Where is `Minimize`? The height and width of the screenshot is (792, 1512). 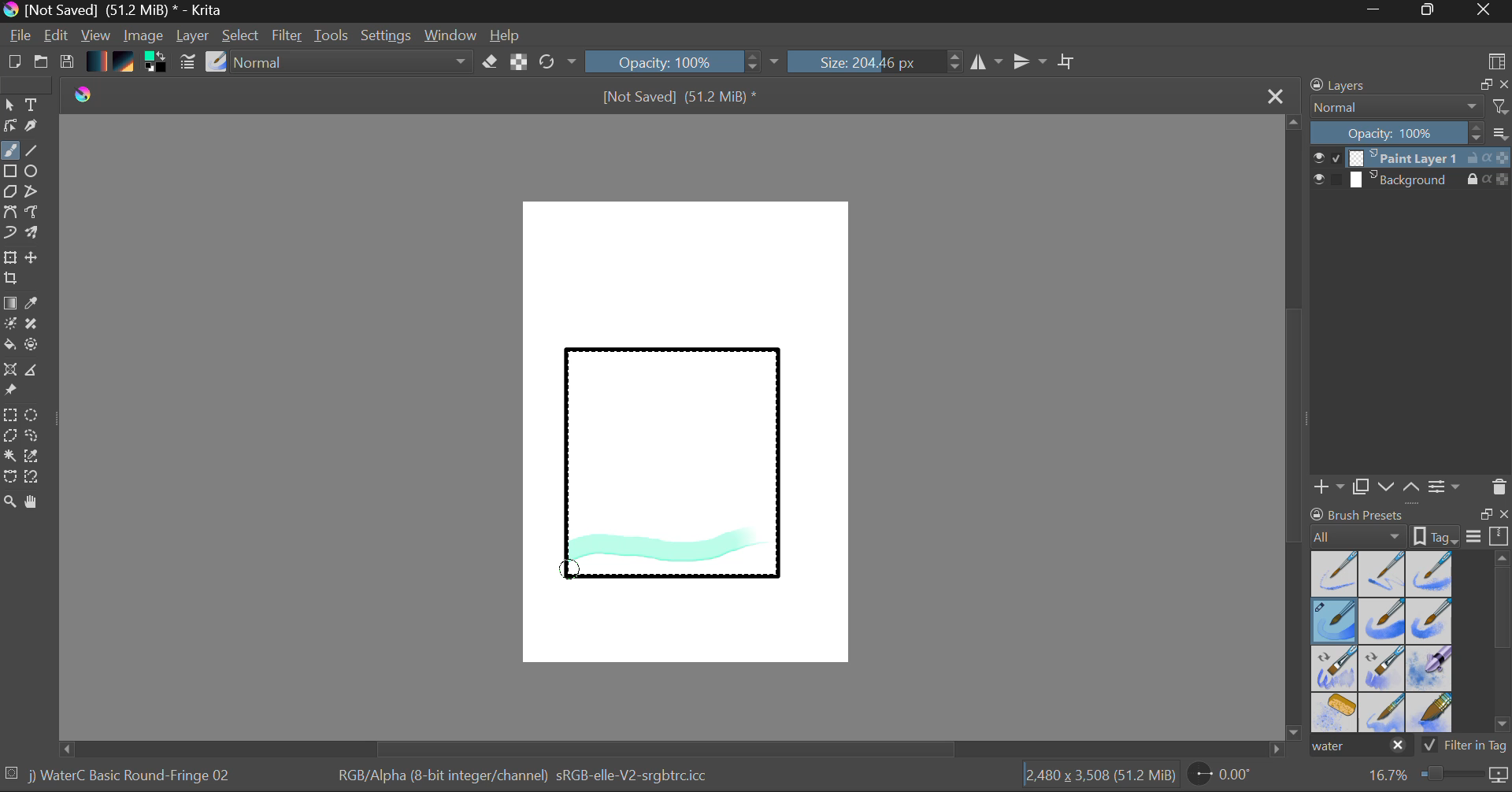
Minimize is located at coordinates (1431, 11).